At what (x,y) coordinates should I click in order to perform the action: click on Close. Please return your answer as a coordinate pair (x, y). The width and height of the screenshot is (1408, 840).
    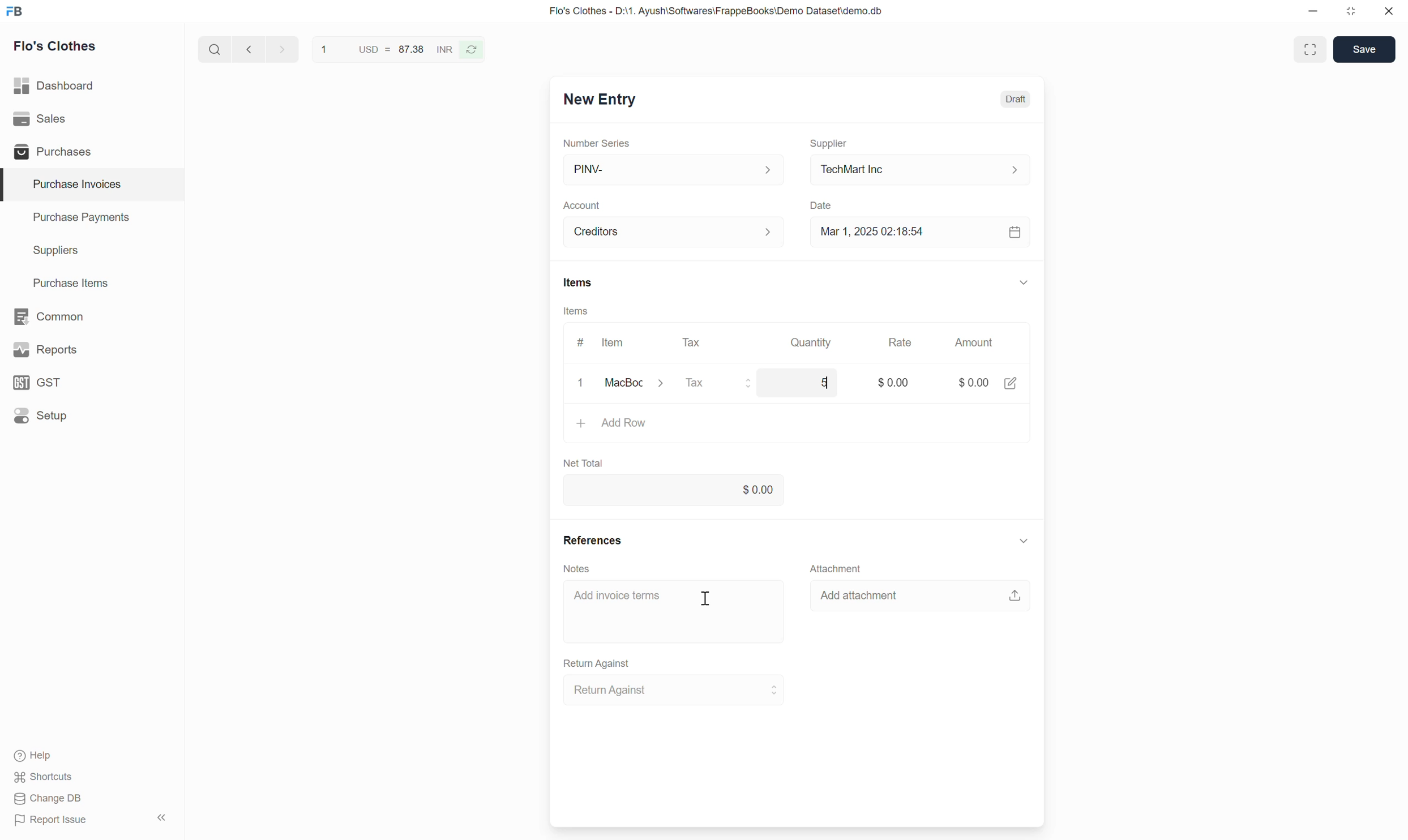
    Looking at the image, I should click on (1389, 11).